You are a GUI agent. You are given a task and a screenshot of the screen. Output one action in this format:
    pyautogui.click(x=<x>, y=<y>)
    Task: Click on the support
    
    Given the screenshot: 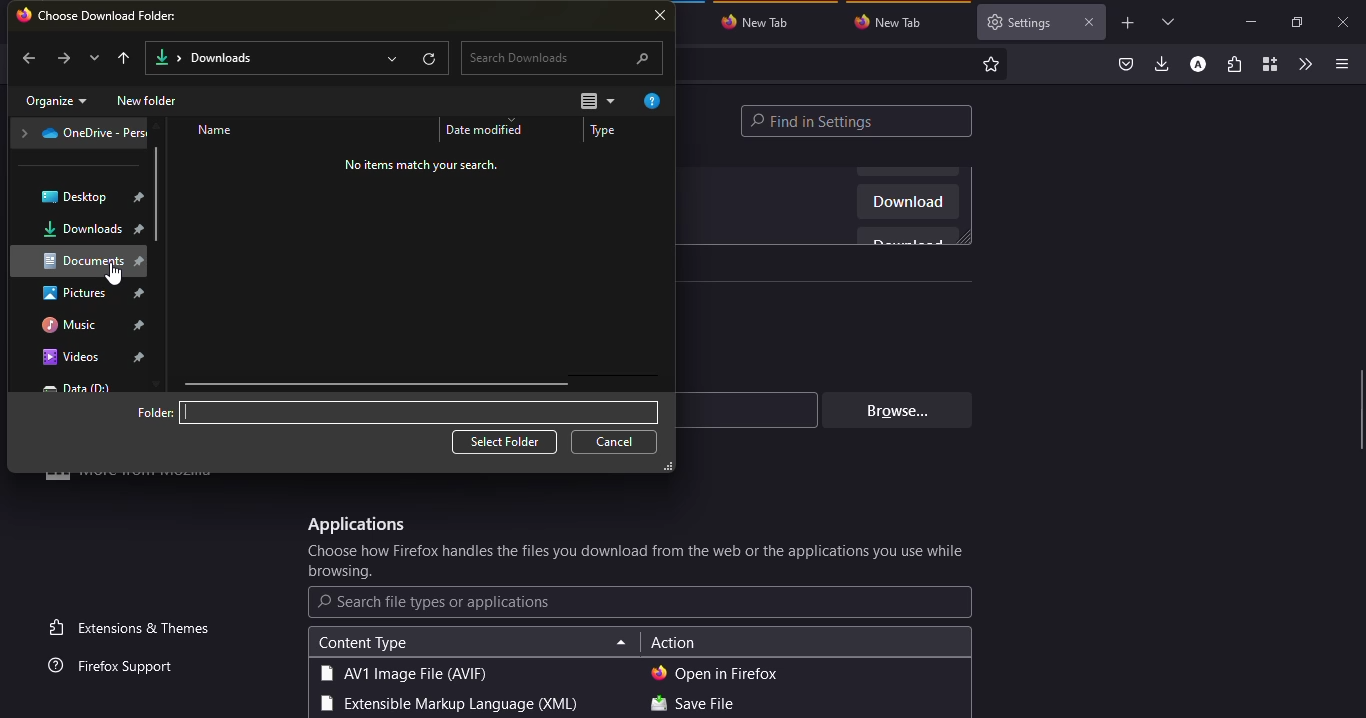 What is the action you would take?
    pyautogui.click(x=117, y=667)
    